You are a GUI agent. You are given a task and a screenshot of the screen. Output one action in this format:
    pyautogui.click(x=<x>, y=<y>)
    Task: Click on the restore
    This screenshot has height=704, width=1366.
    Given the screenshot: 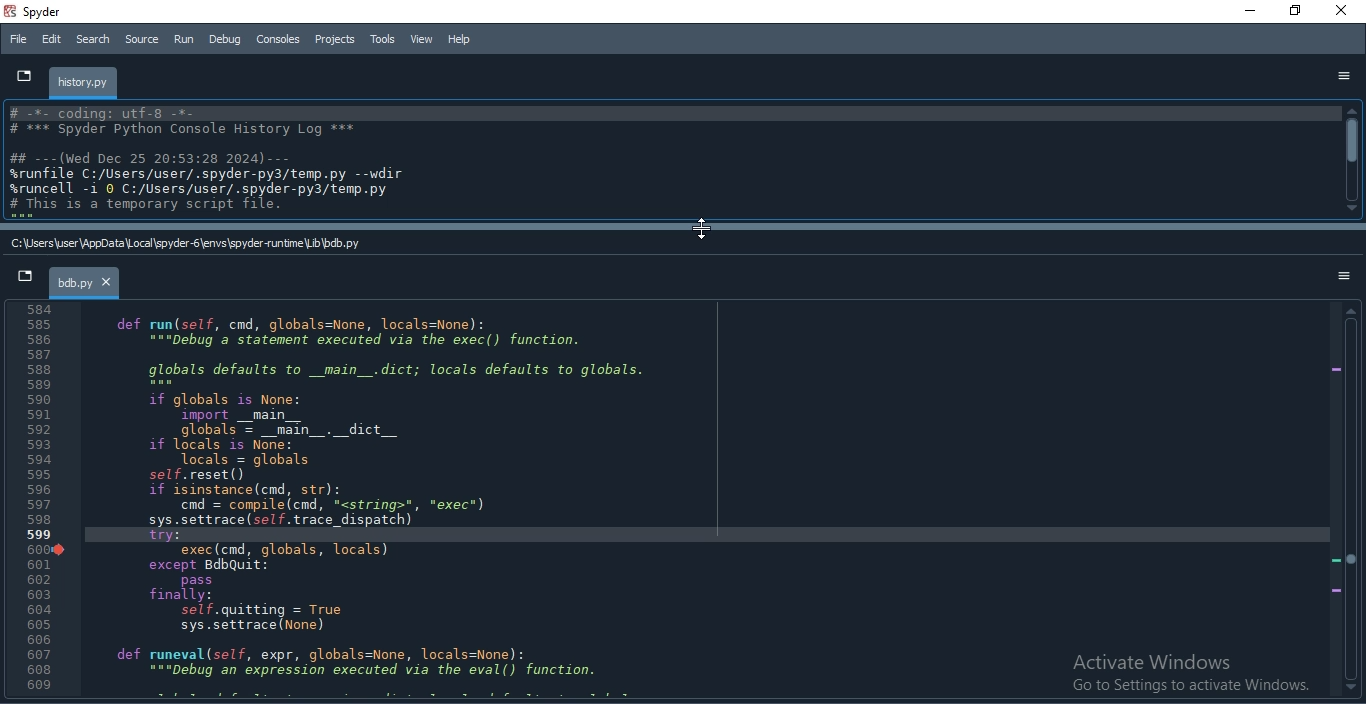 What is the action you would take?
    pyautogui.click(x=1296, y=12)
    